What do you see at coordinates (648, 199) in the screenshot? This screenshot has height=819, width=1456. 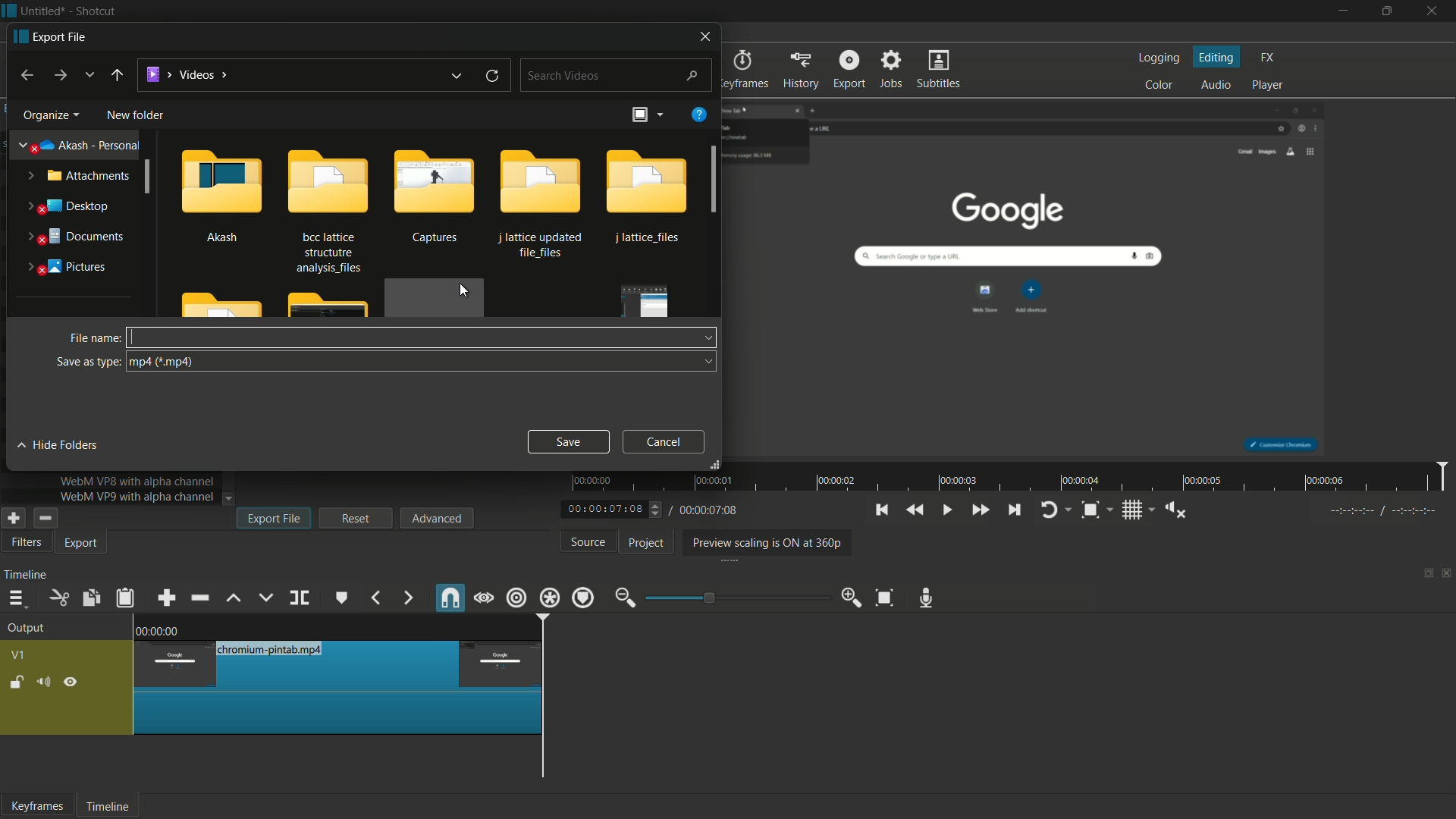 I see `folder-1` at bounding box center [648, 199].